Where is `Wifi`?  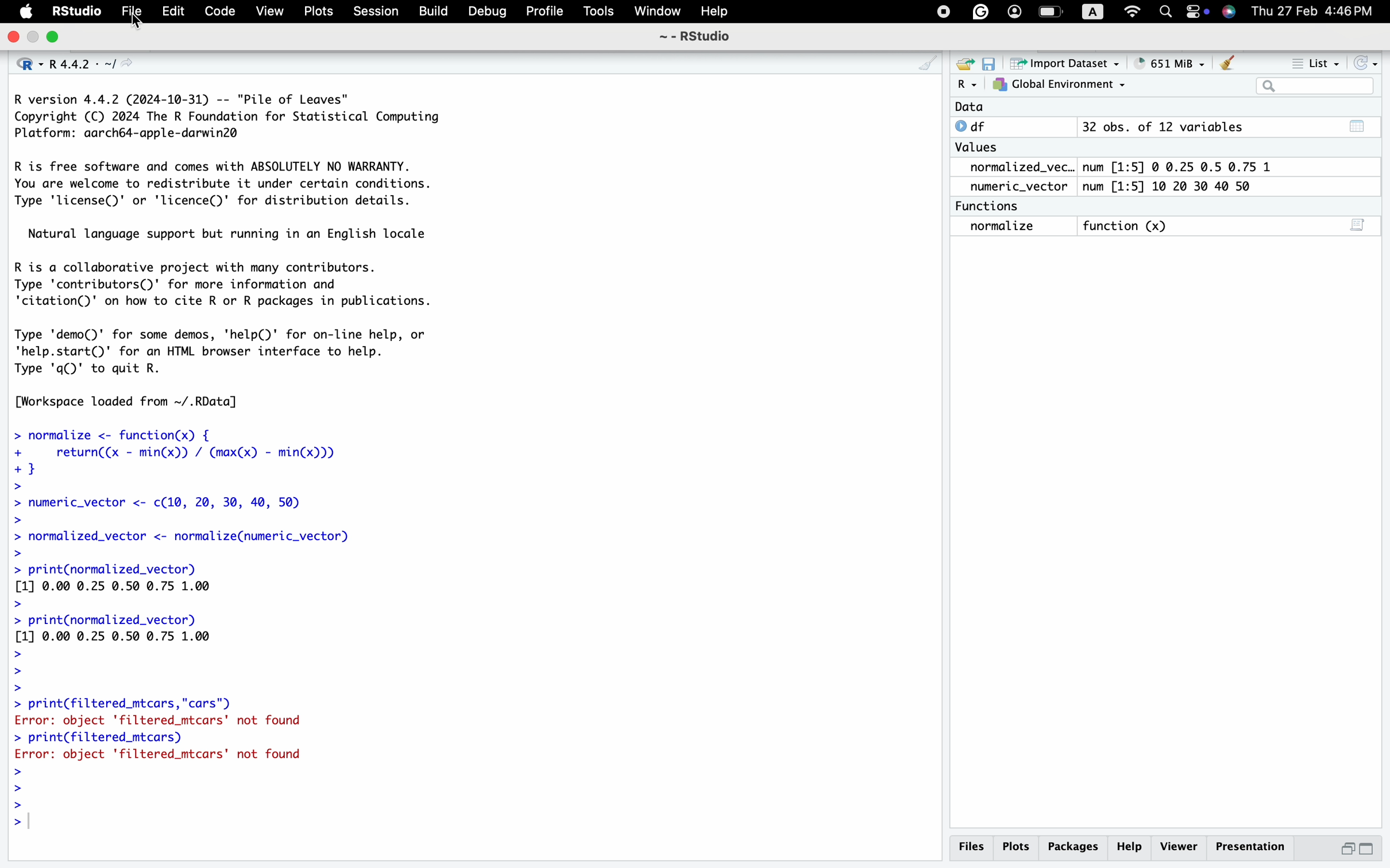
Wifi is located at coordinates (1128, 11).